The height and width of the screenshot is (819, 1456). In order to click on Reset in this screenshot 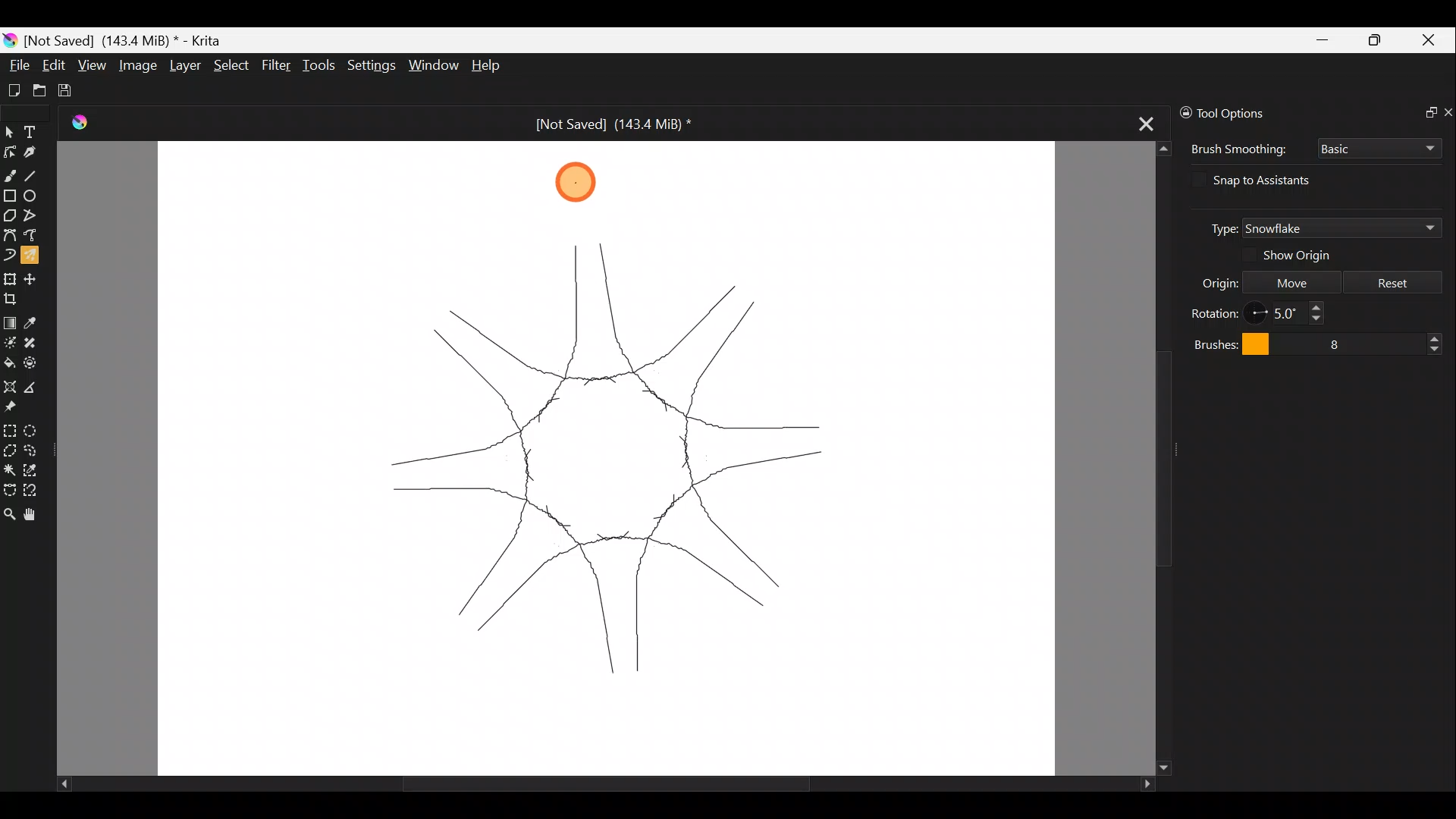, I will do `click(1393, 281)`.